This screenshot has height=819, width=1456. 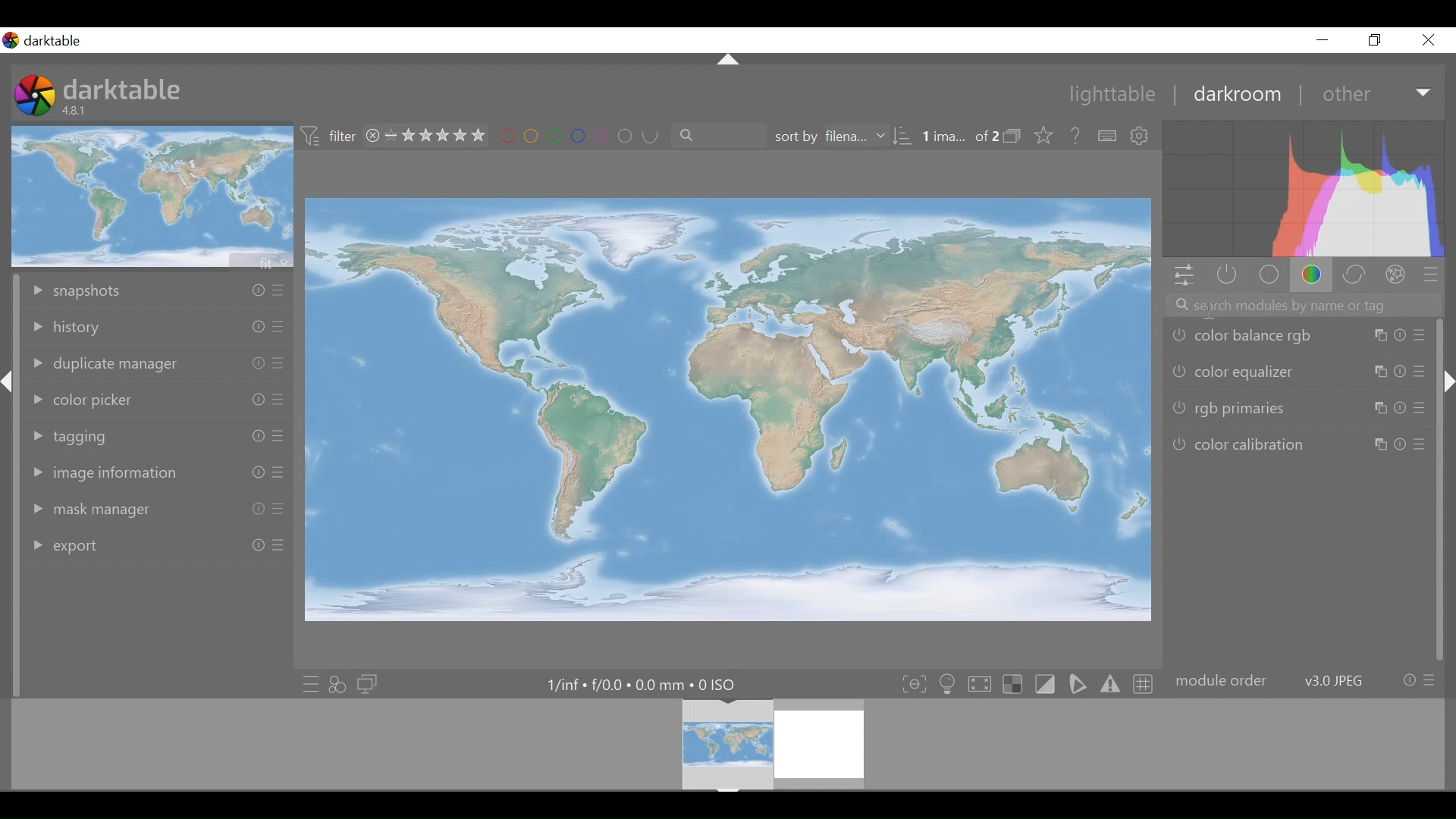 I want to click on display a second darkroom to display, so click(x=369, y=683).